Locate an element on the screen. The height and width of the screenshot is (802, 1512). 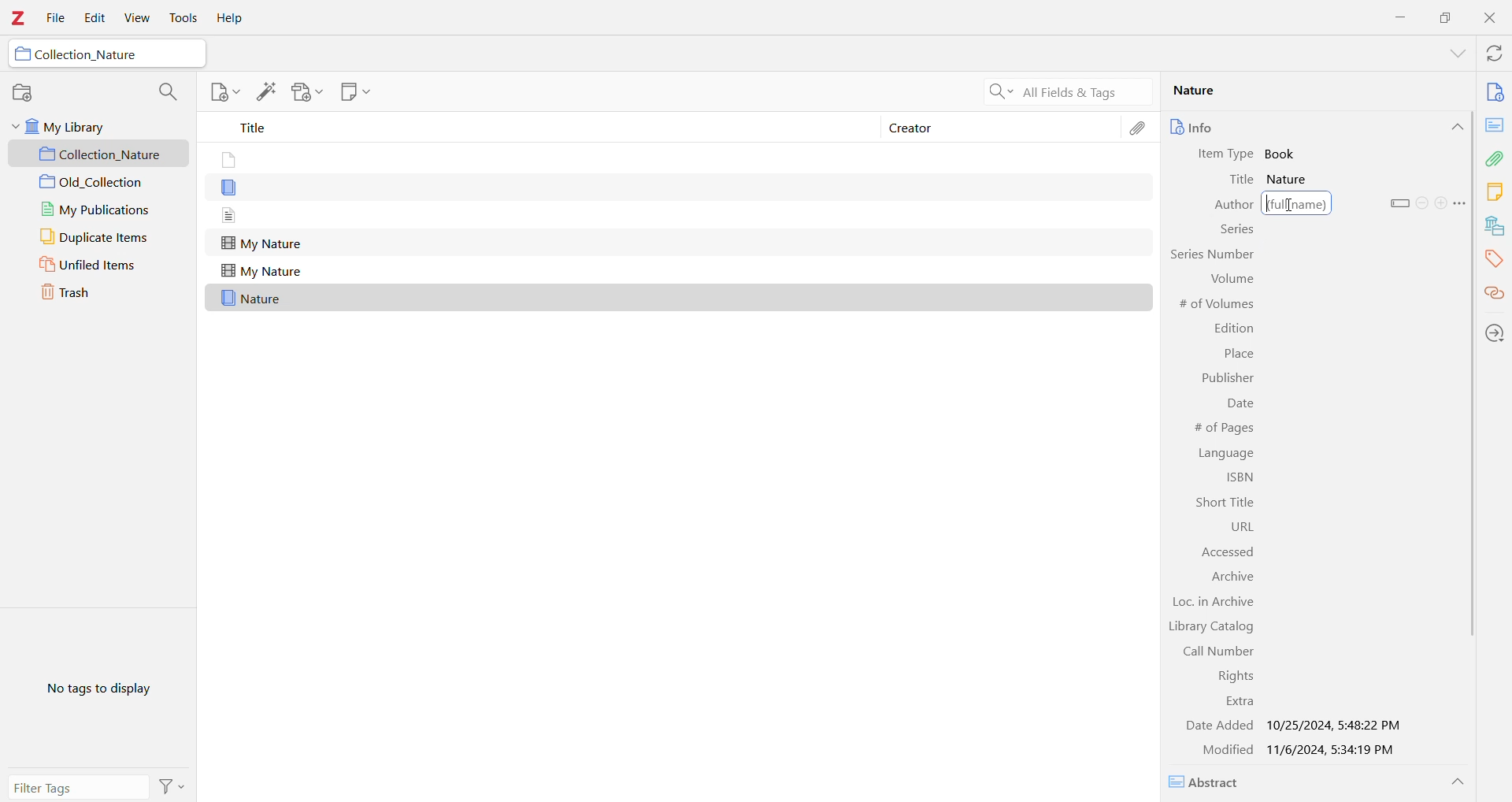
Abstract is located at coordinates (1210, 782).